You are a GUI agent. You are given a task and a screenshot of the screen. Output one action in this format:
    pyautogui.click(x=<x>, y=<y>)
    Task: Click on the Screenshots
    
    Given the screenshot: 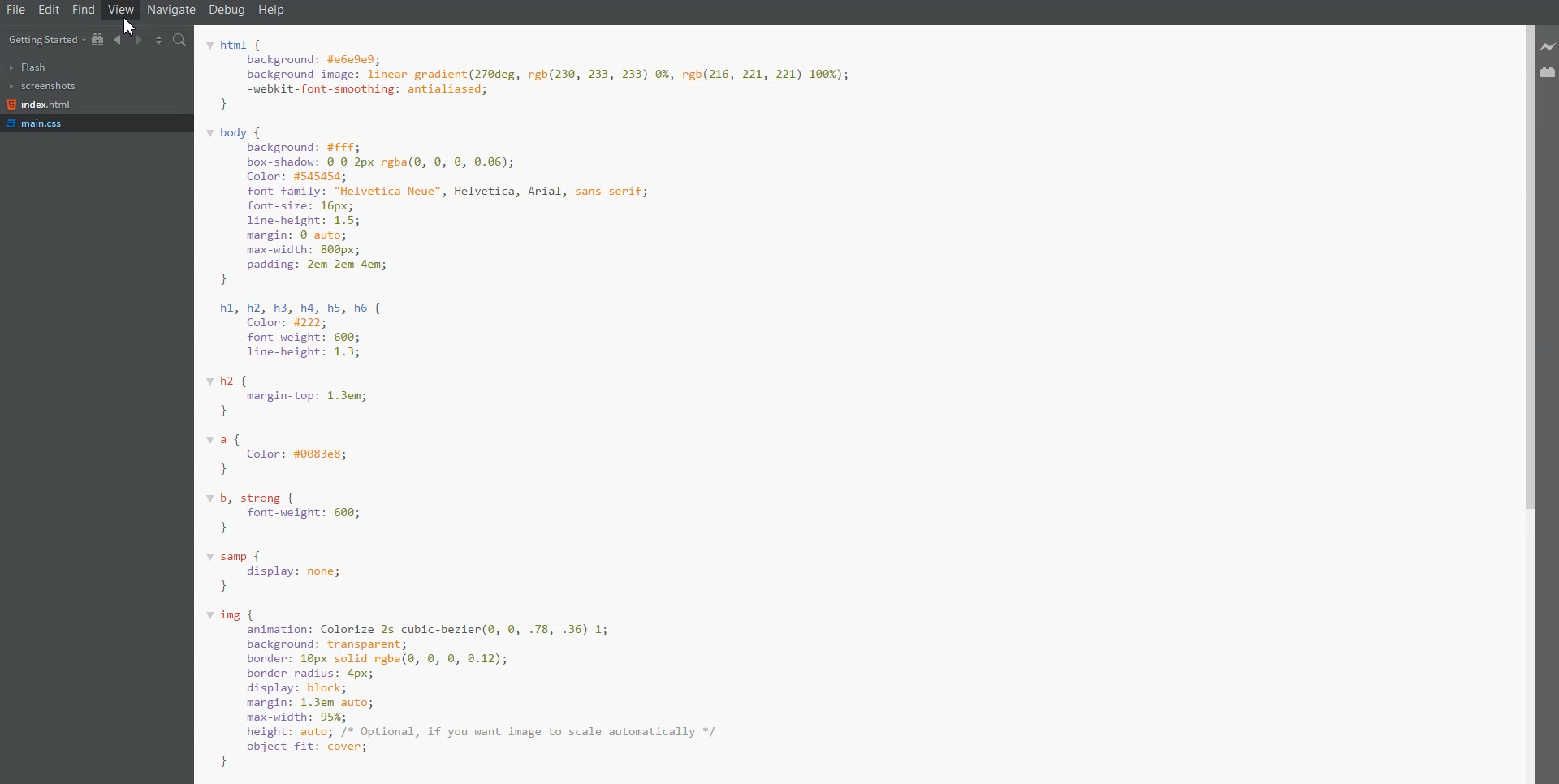 What is the action you would take?
    pyautogui.click(x=42, y=86)
    